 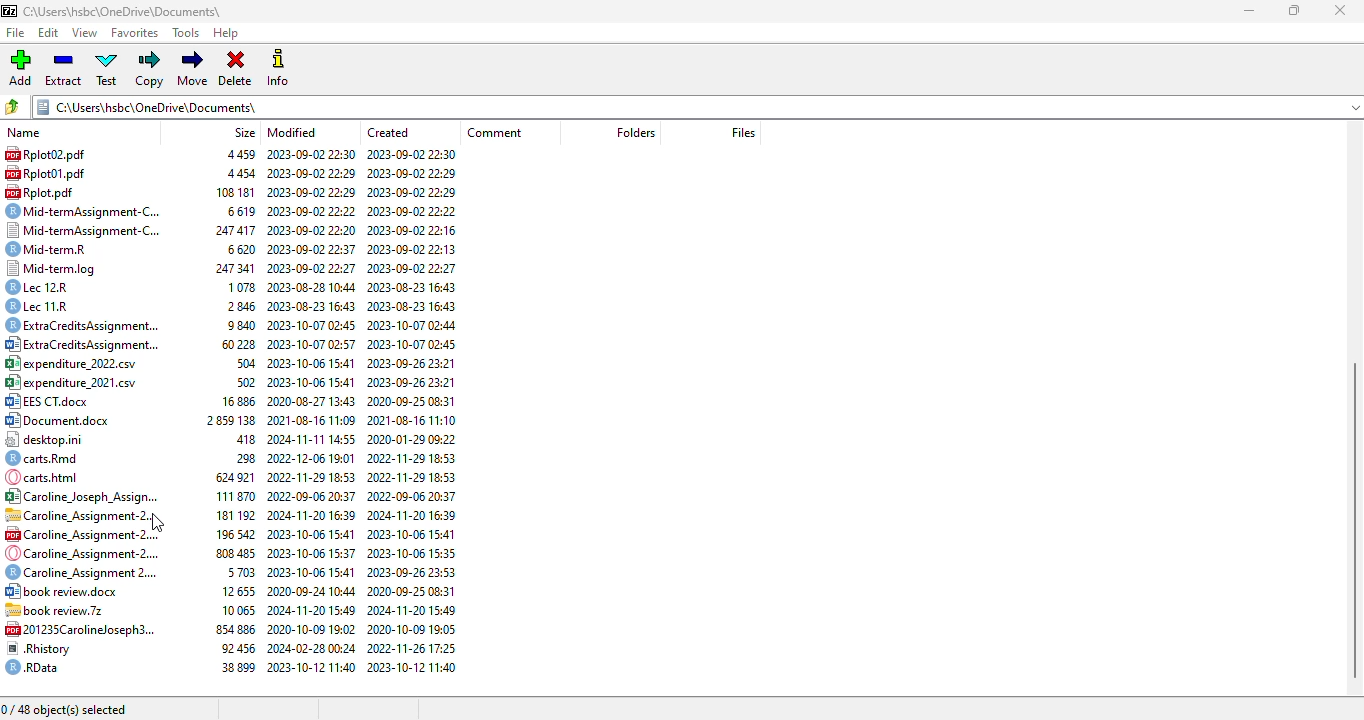 What do you see at coordinates (415, 208) in the screenshot?
I see `2023-00-02 22:27` at bounding box center [415, 208].